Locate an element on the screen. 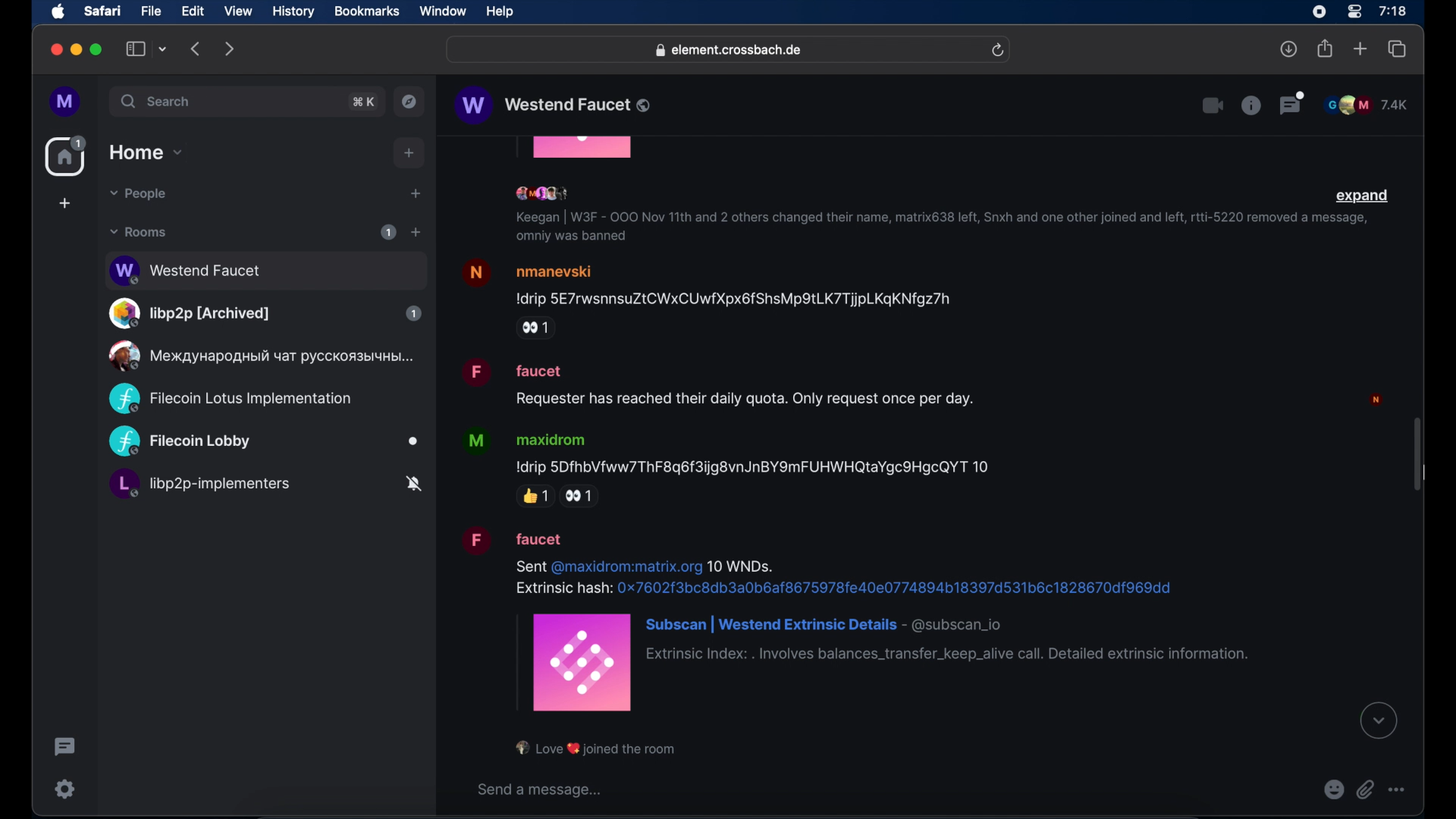  search shortcut is located at coordinates (365, 102).